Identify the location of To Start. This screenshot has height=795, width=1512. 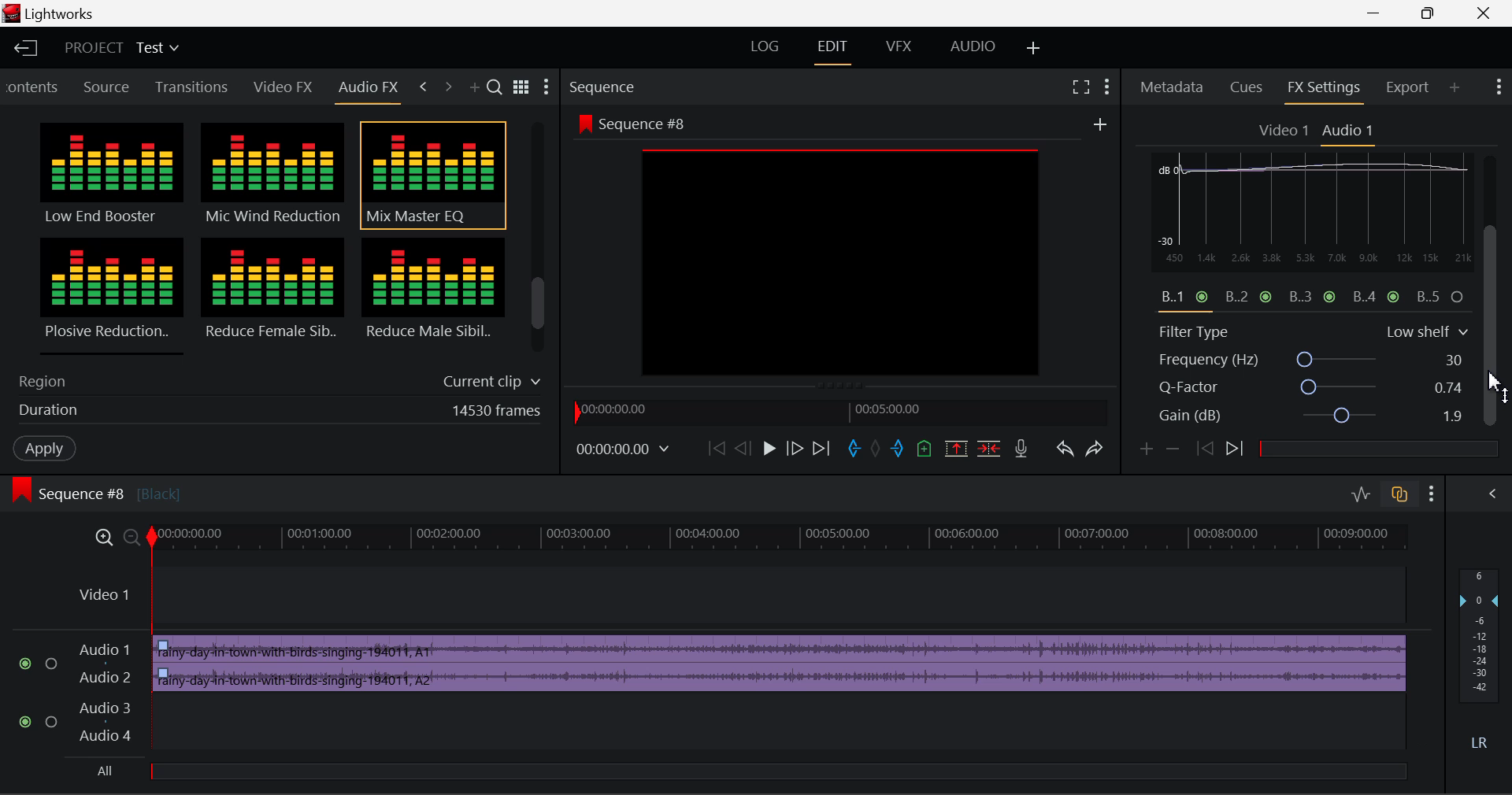
(715, 449).